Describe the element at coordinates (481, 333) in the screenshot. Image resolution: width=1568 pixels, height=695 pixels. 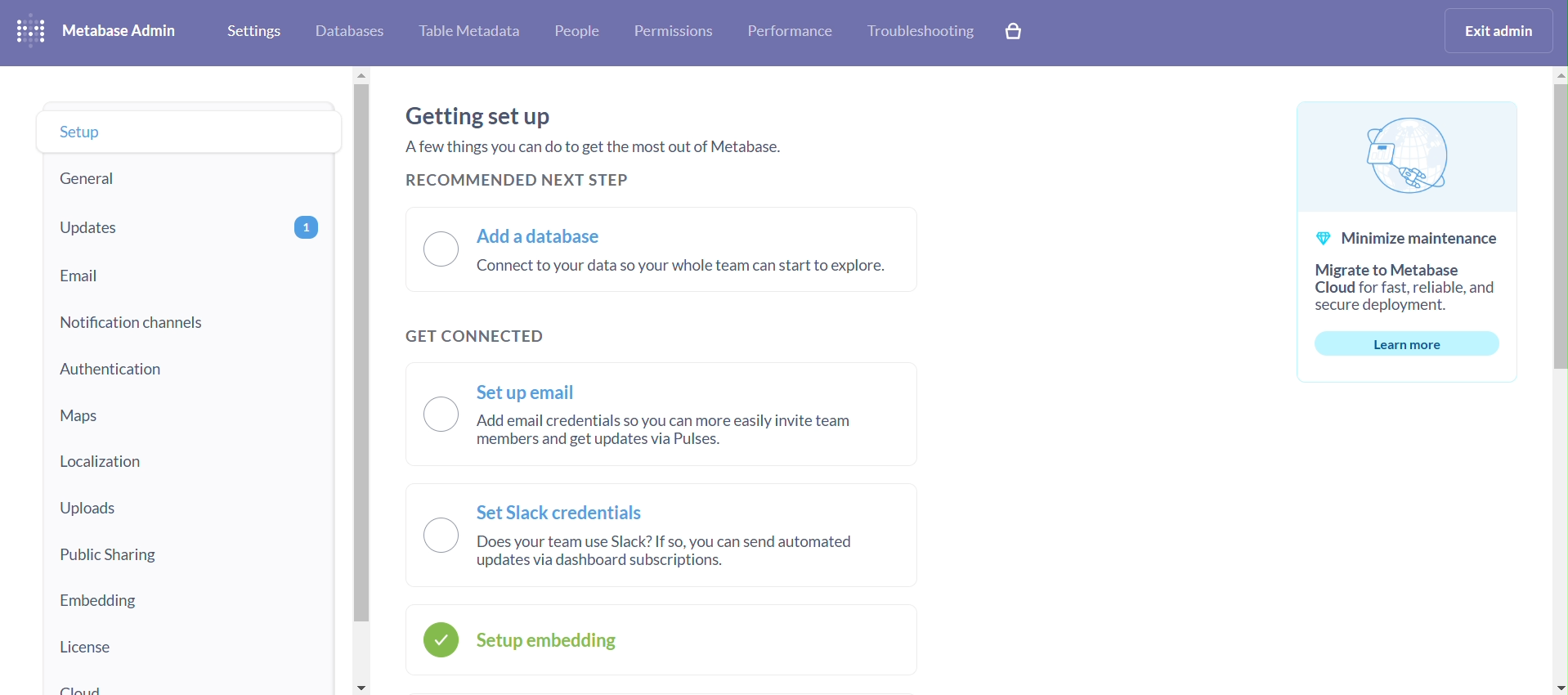
I see `get connected` at that location.